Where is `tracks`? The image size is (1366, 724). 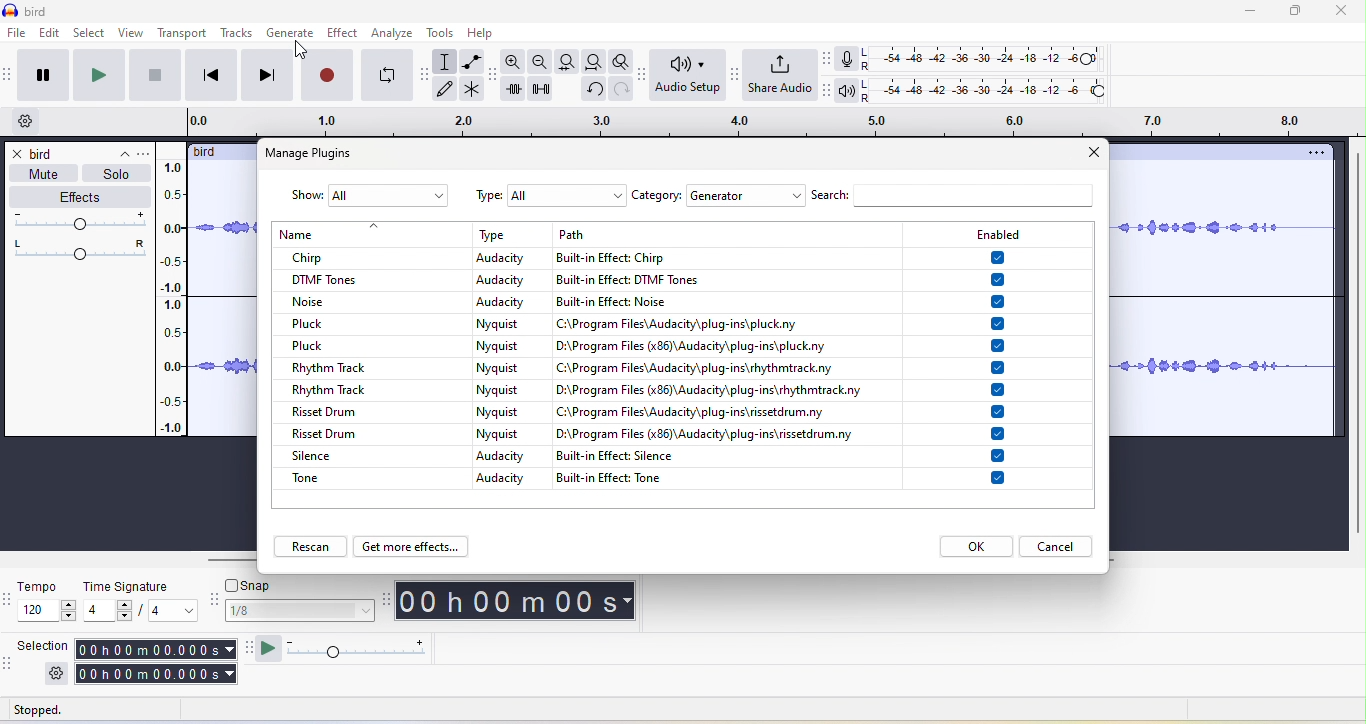 tracks is located at coordinates (237, 34).